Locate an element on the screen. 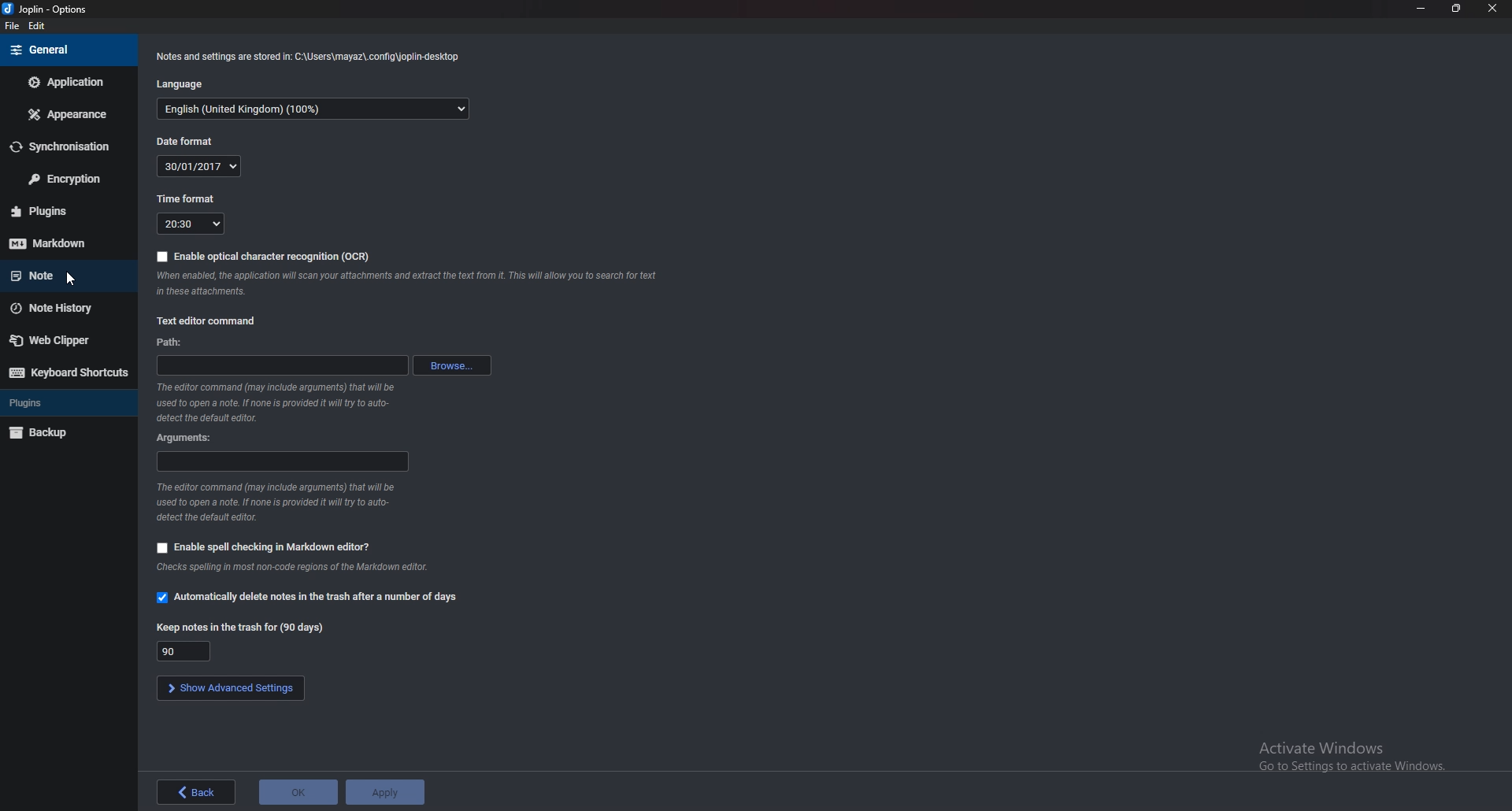 The width and height of the screenshot is (1512, 811). info is located at coordinates (314, 55).